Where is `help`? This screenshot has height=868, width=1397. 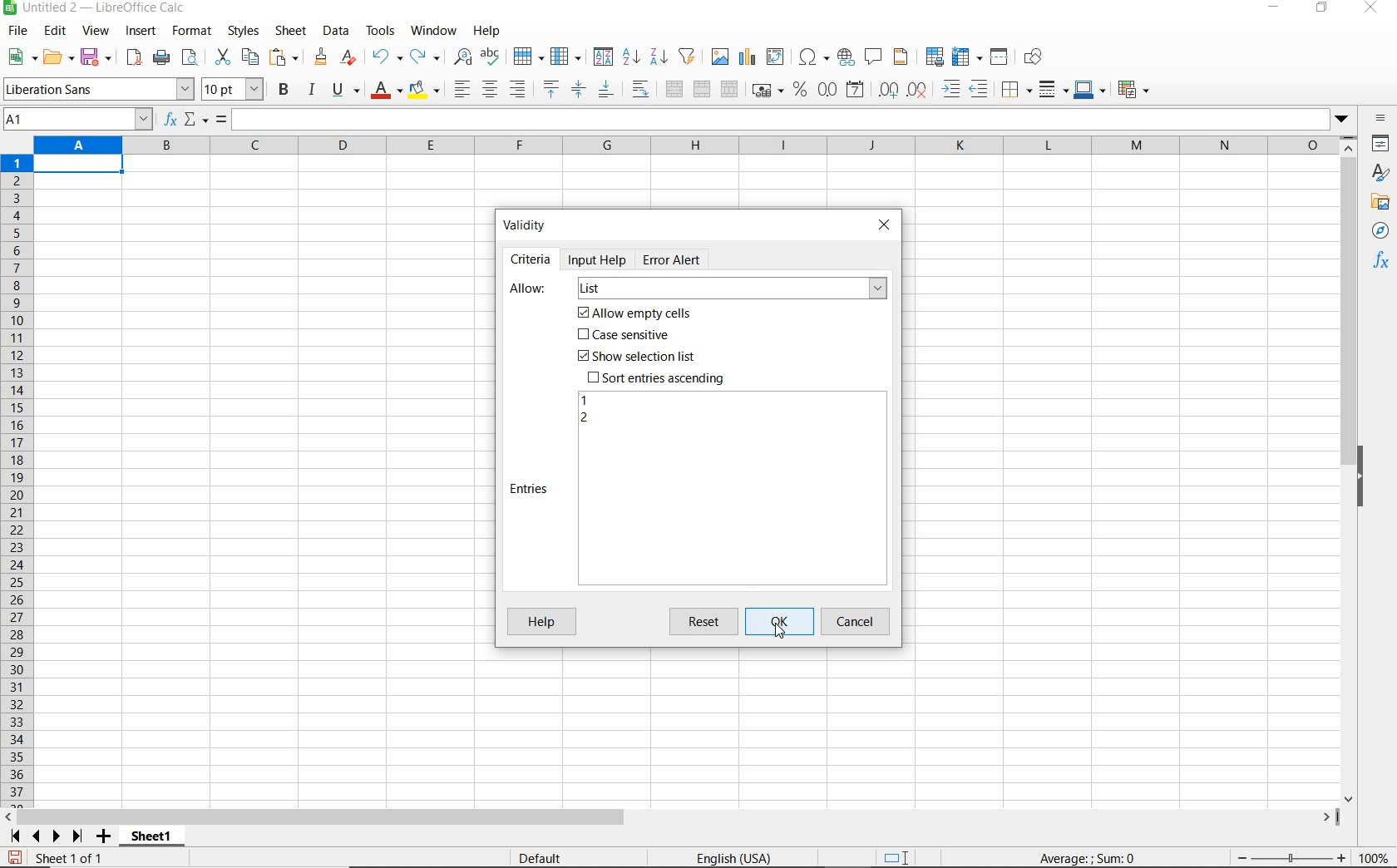 help is located at coordinates (486, 31).